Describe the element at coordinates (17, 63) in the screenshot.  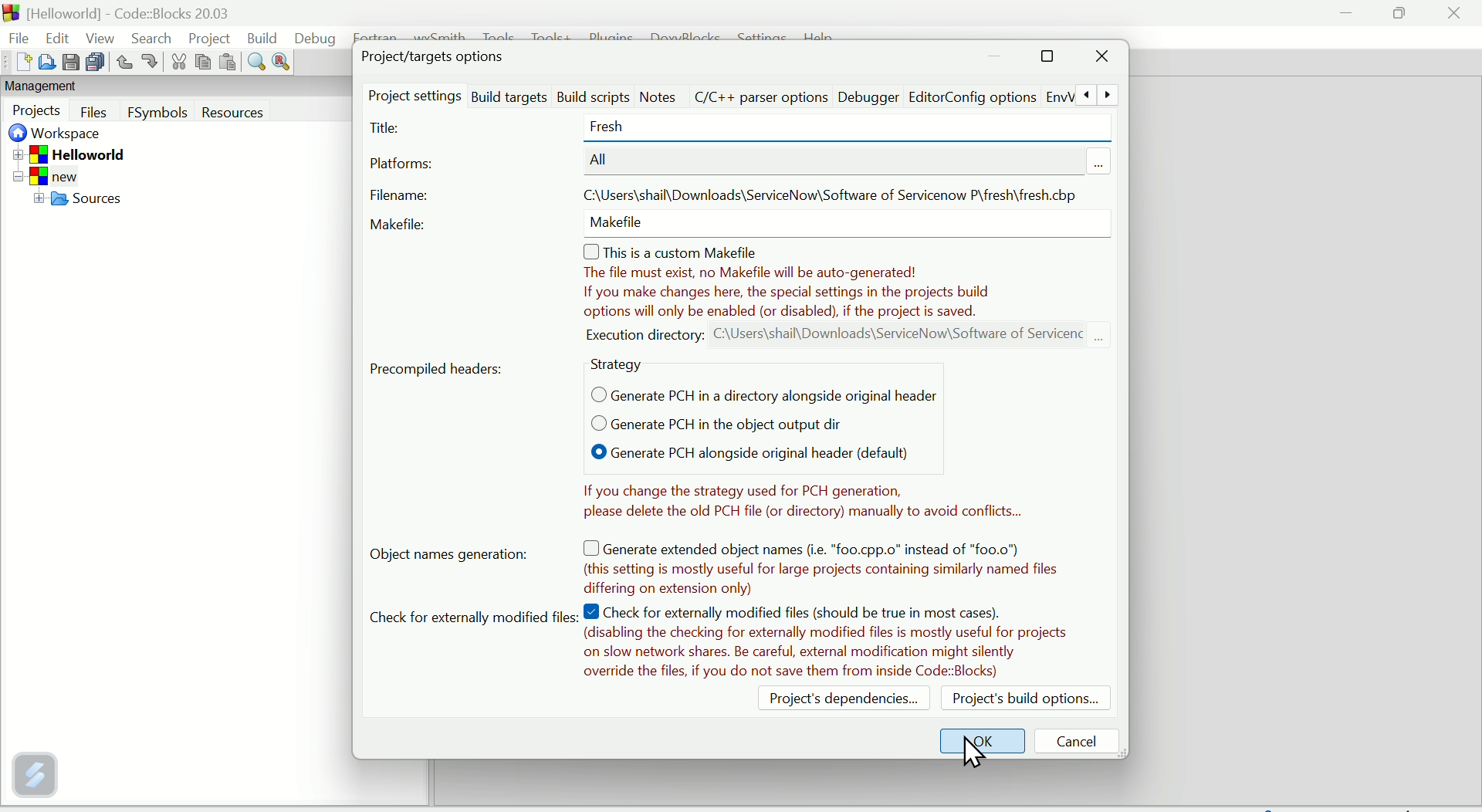
I see `New` at that location.